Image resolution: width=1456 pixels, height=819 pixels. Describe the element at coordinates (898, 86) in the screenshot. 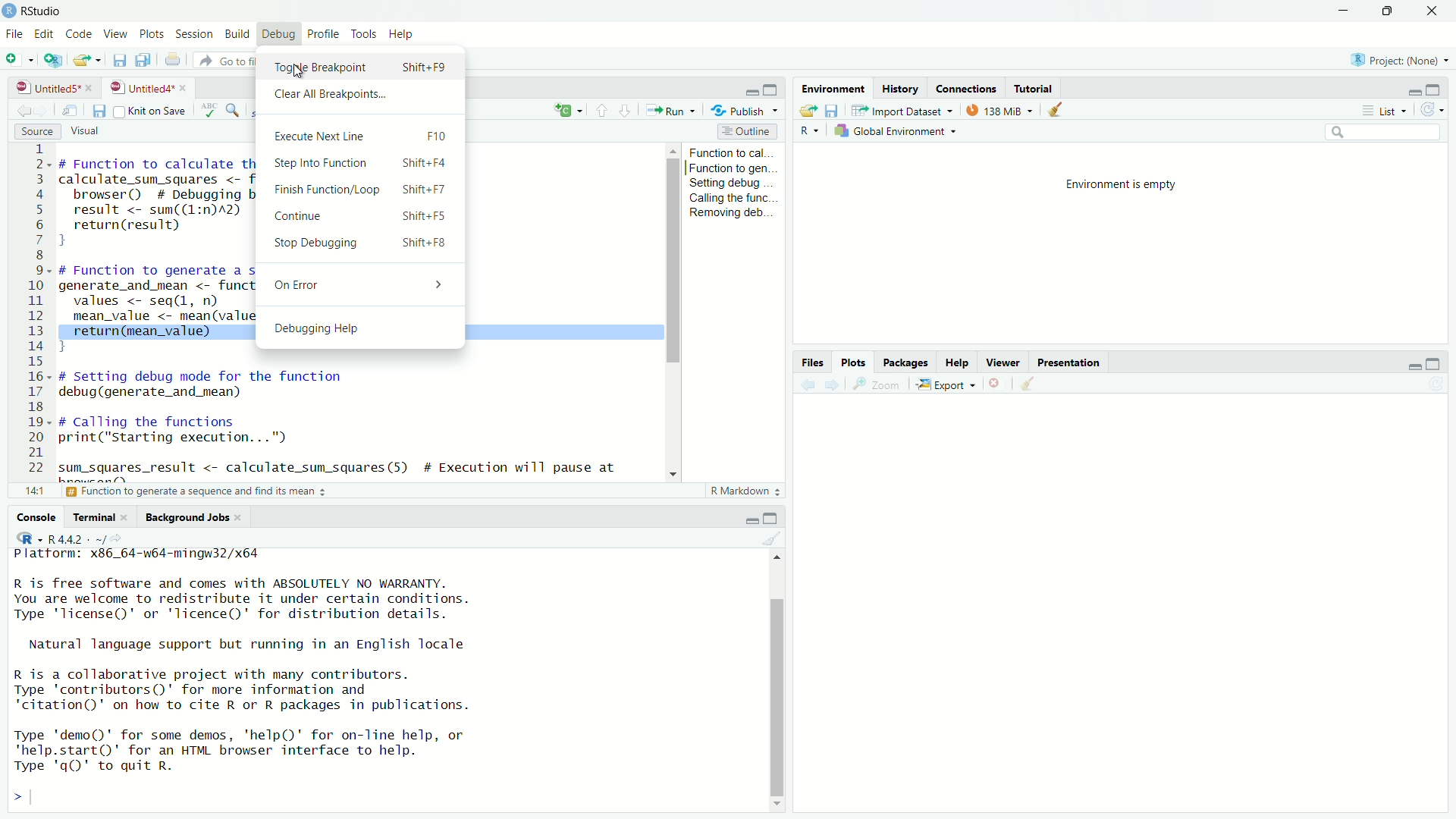

I see `history` at that location.